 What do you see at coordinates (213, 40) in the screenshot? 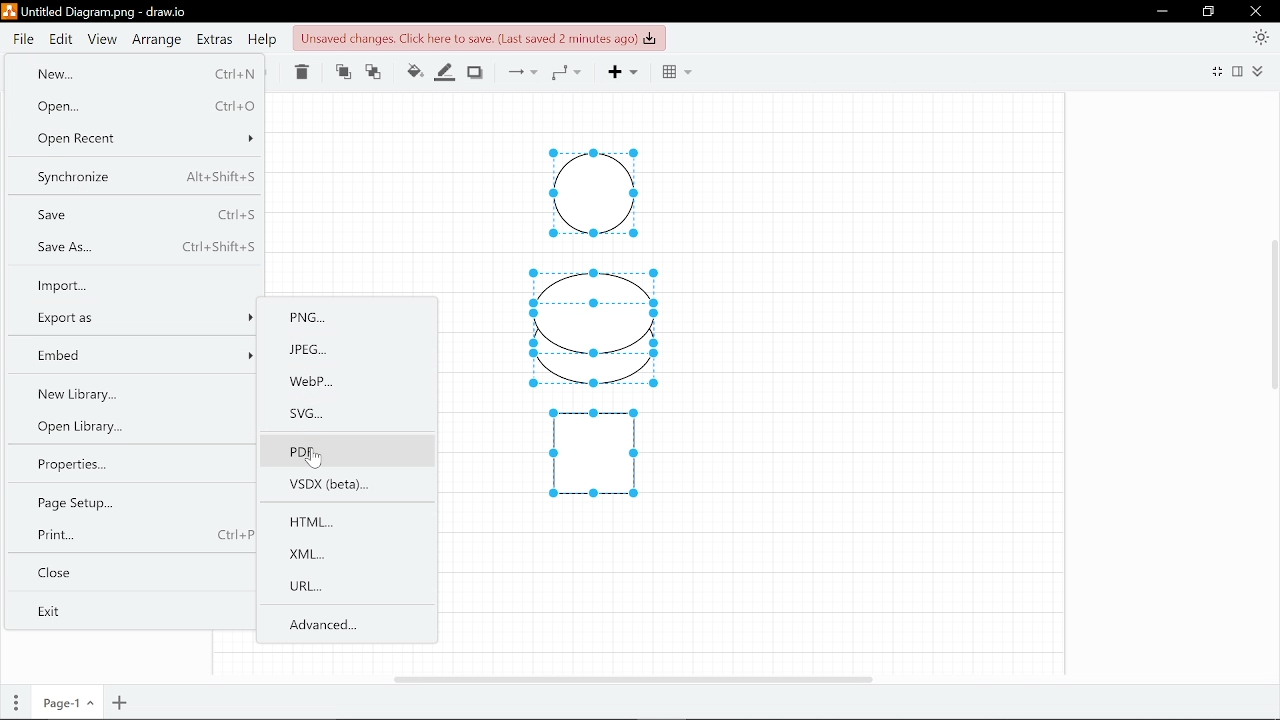
I see `Extras` at bounding box center [213, 40].